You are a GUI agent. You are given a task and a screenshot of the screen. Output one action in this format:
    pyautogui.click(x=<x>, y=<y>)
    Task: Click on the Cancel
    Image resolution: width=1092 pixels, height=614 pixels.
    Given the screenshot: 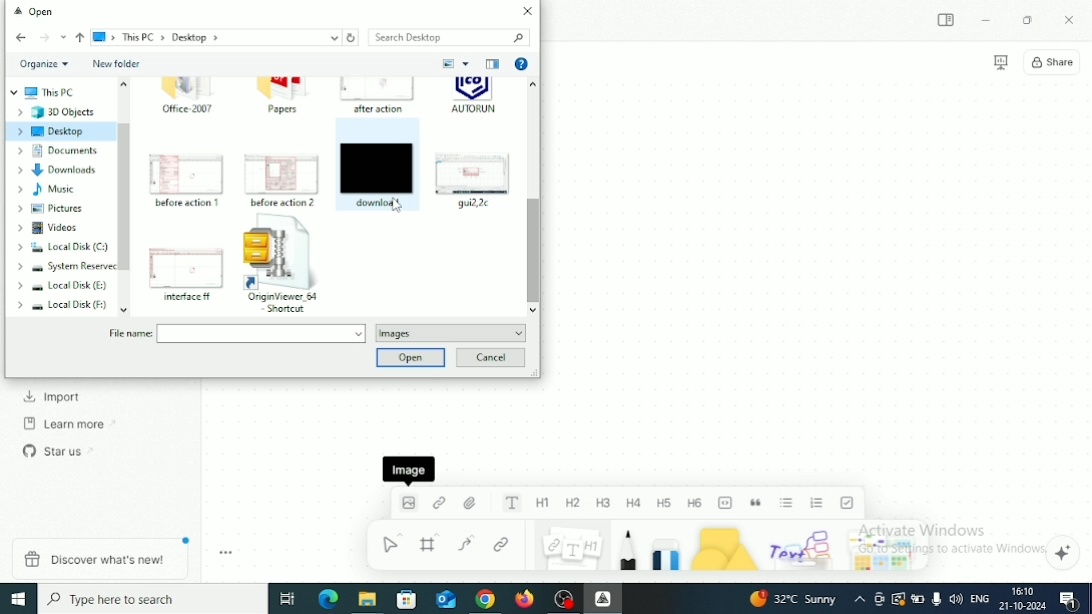 What is the action you would take?
    pyautogui.click(x=489, y=358)
    